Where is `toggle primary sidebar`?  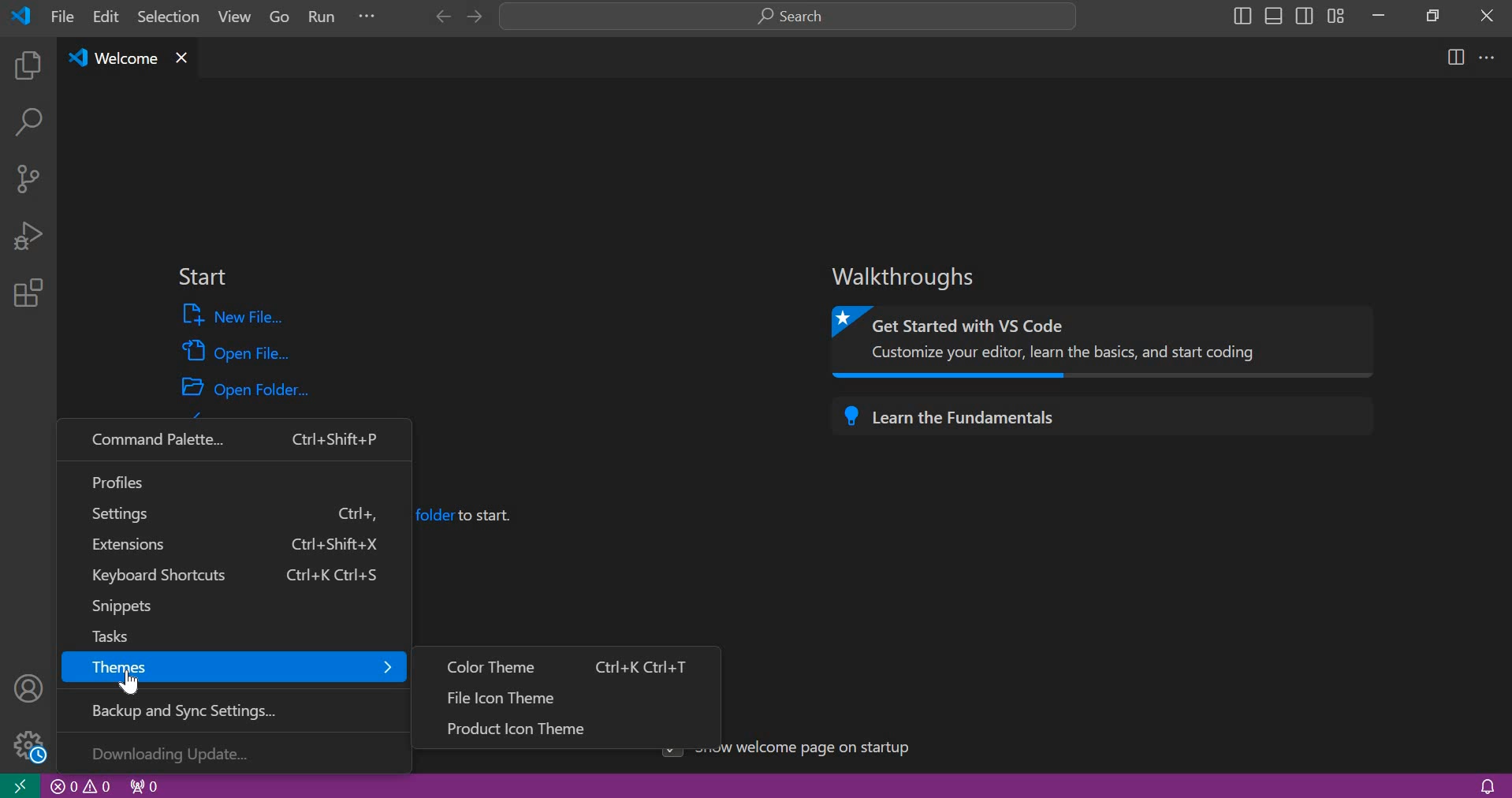
toggle primary sidebar is located at coordinates (1240, 16).